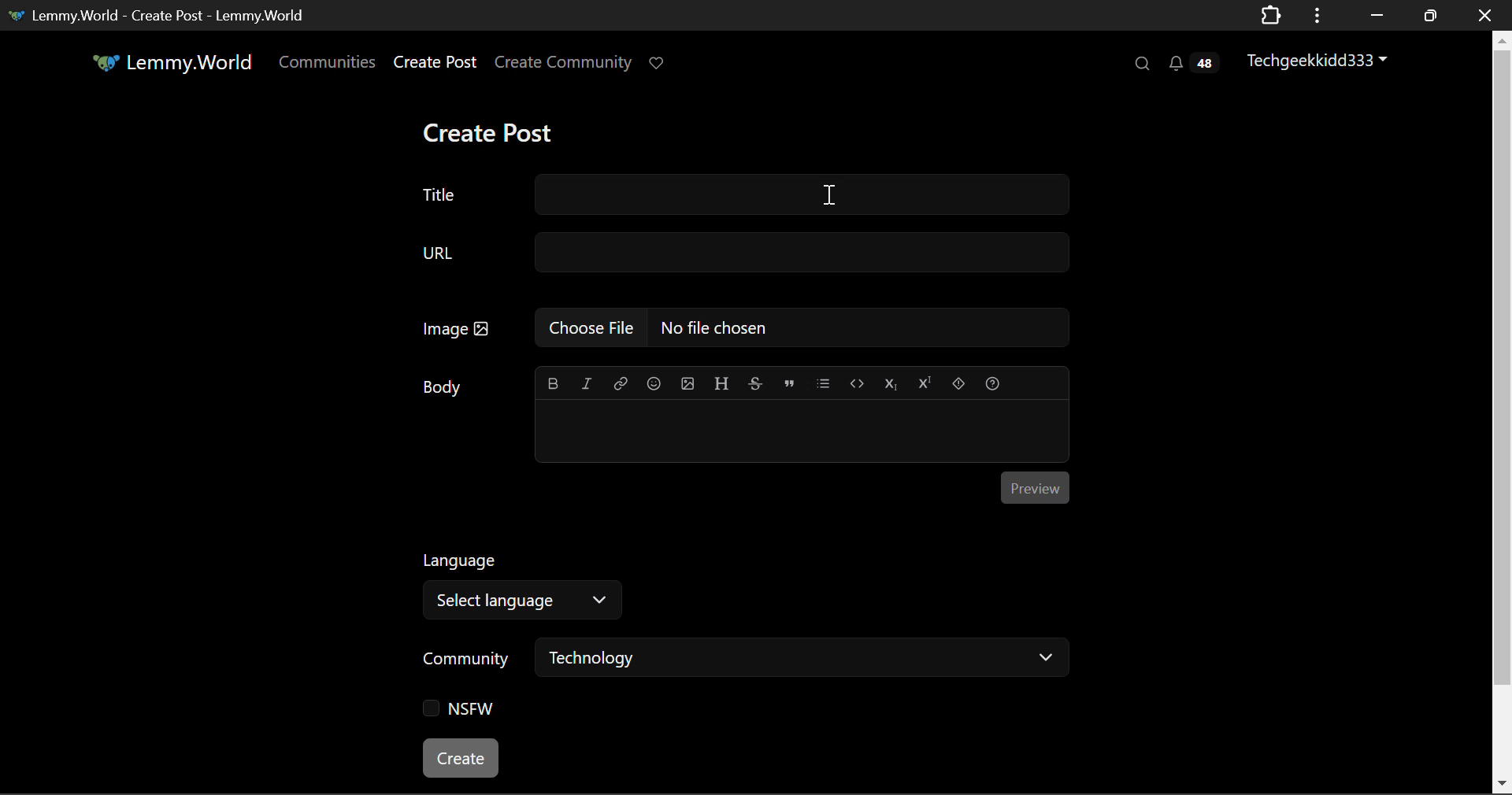  Describe the element at coordinates (687, 382) in the screenshot. I see `upload image` at that location.